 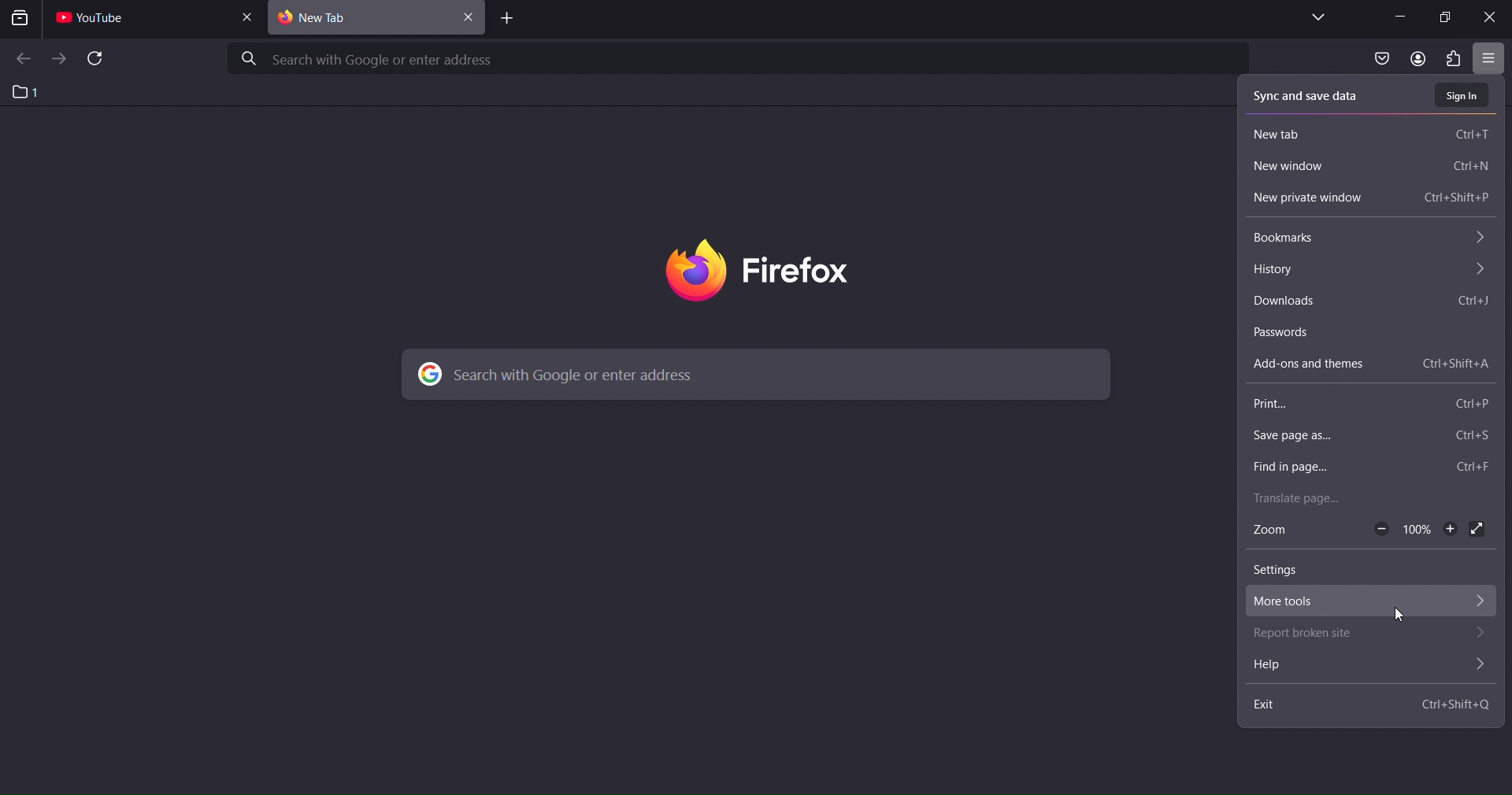 I want to click on image, so click(x=797, y=270).